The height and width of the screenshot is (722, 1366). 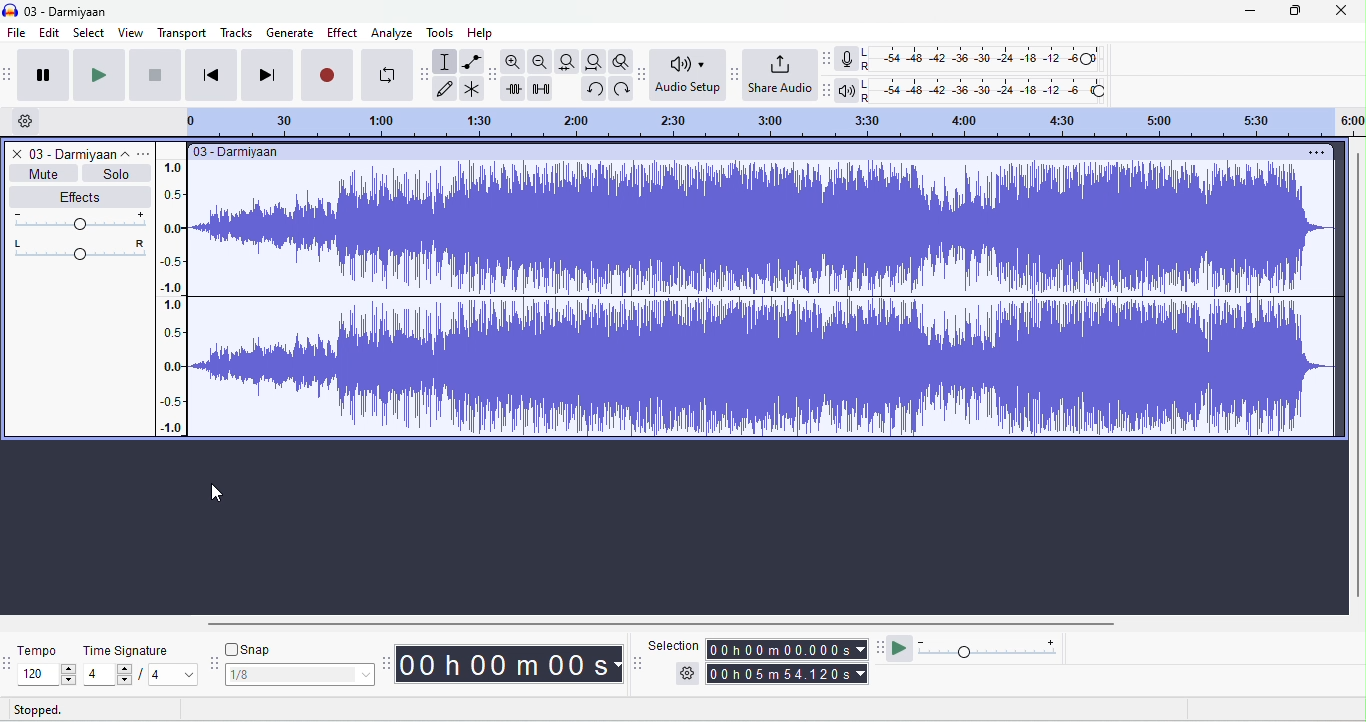 I want to click on timeline , so click(x=773, y=123).